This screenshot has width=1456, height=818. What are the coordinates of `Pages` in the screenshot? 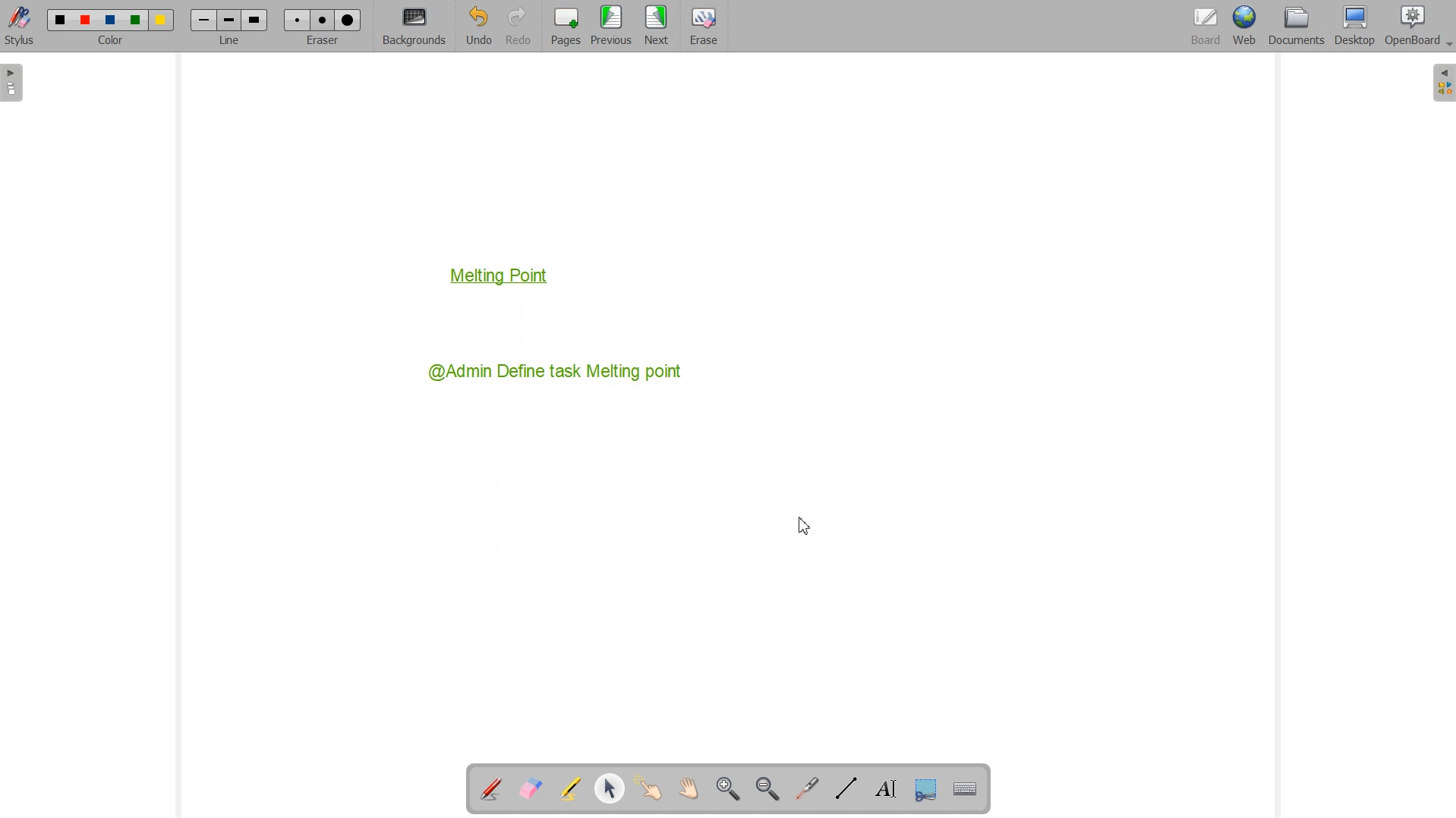 It's located at (563, 27).